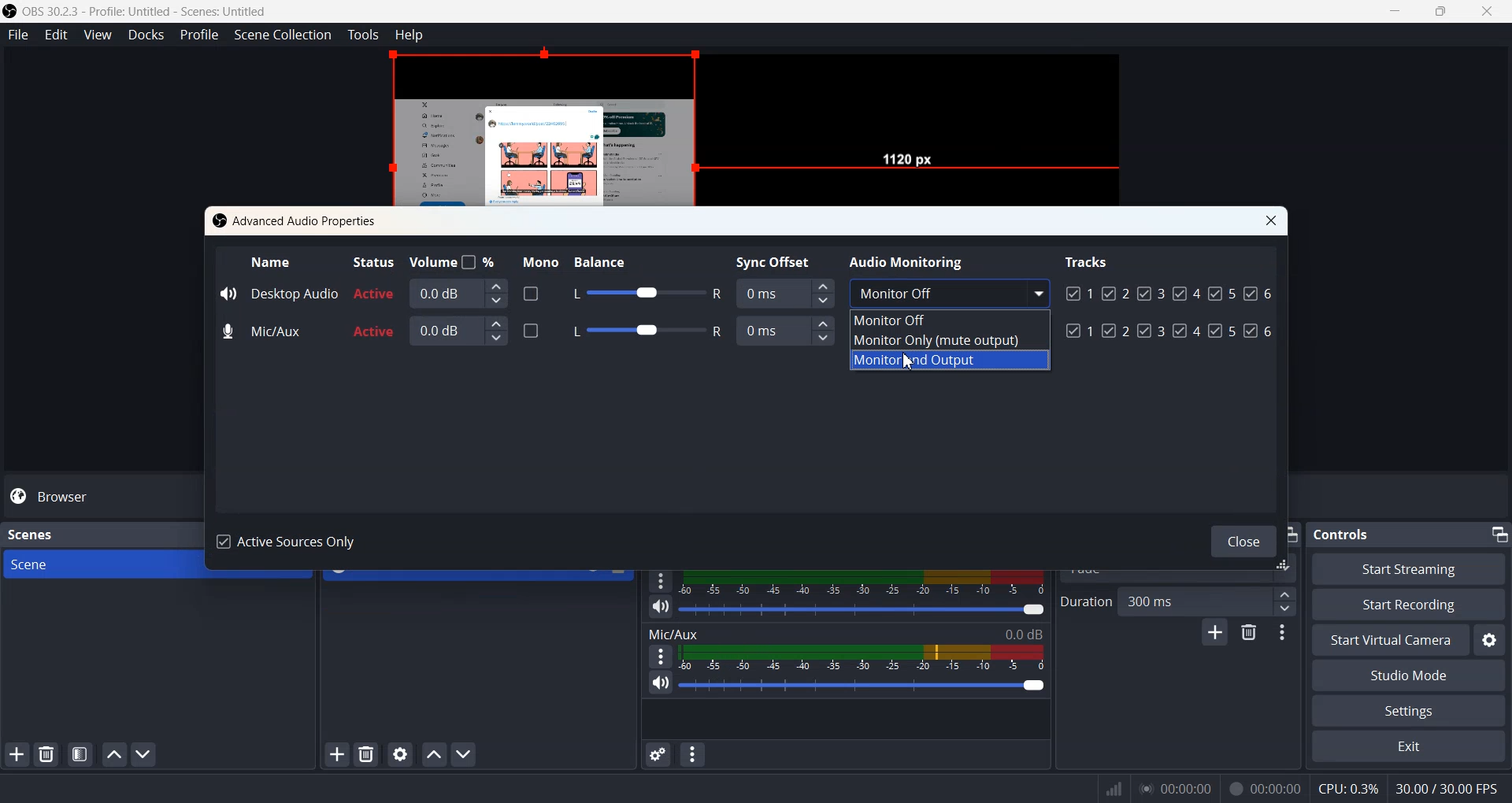 The height and width of the screenshot is (803, 1512). Describe the element at coordinates (1085, 601) in the screenshot. I see `Duration` at that location.